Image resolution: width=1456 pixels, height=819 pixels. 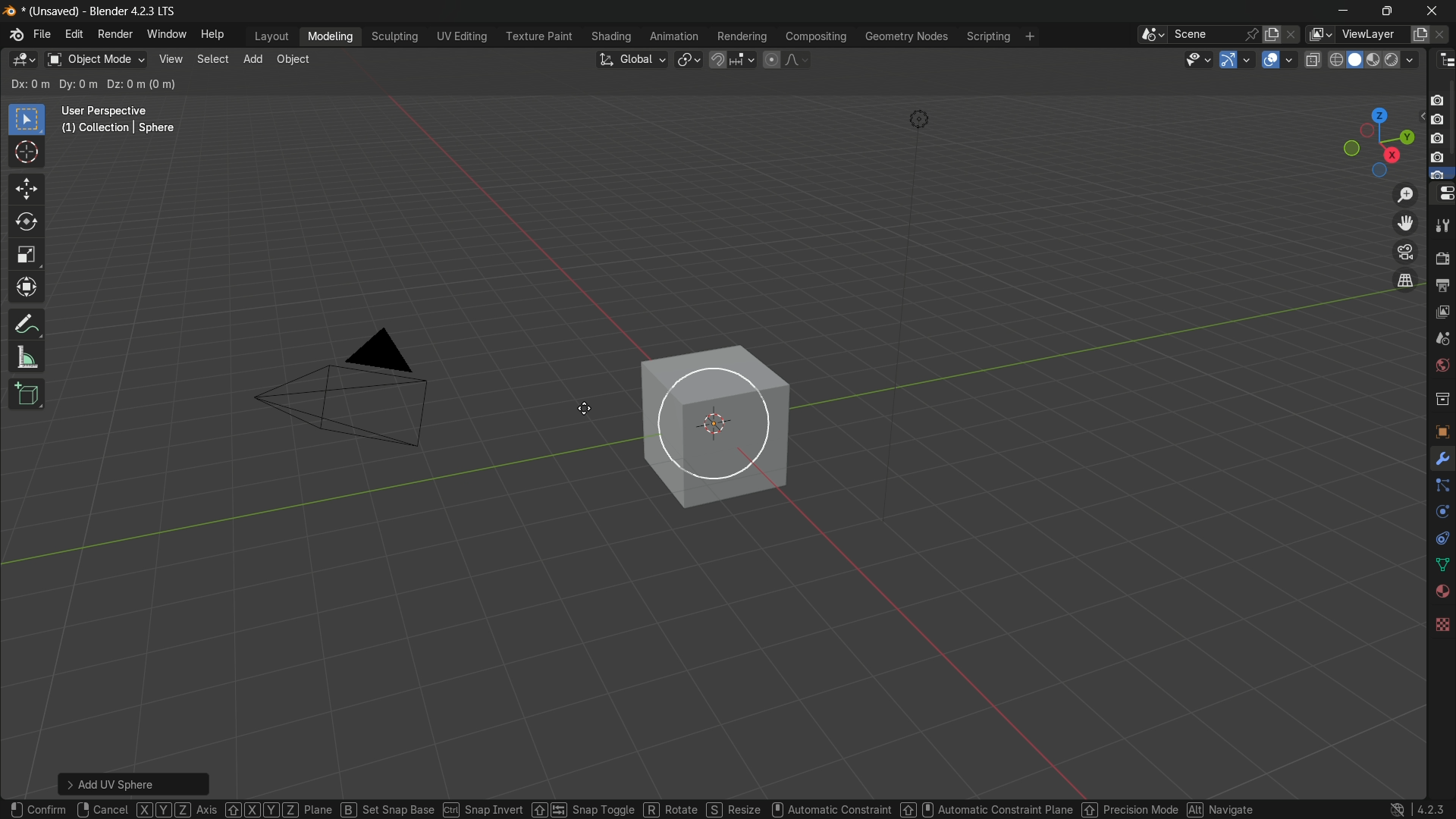 I want to click on add, so click(x=253, y=59).